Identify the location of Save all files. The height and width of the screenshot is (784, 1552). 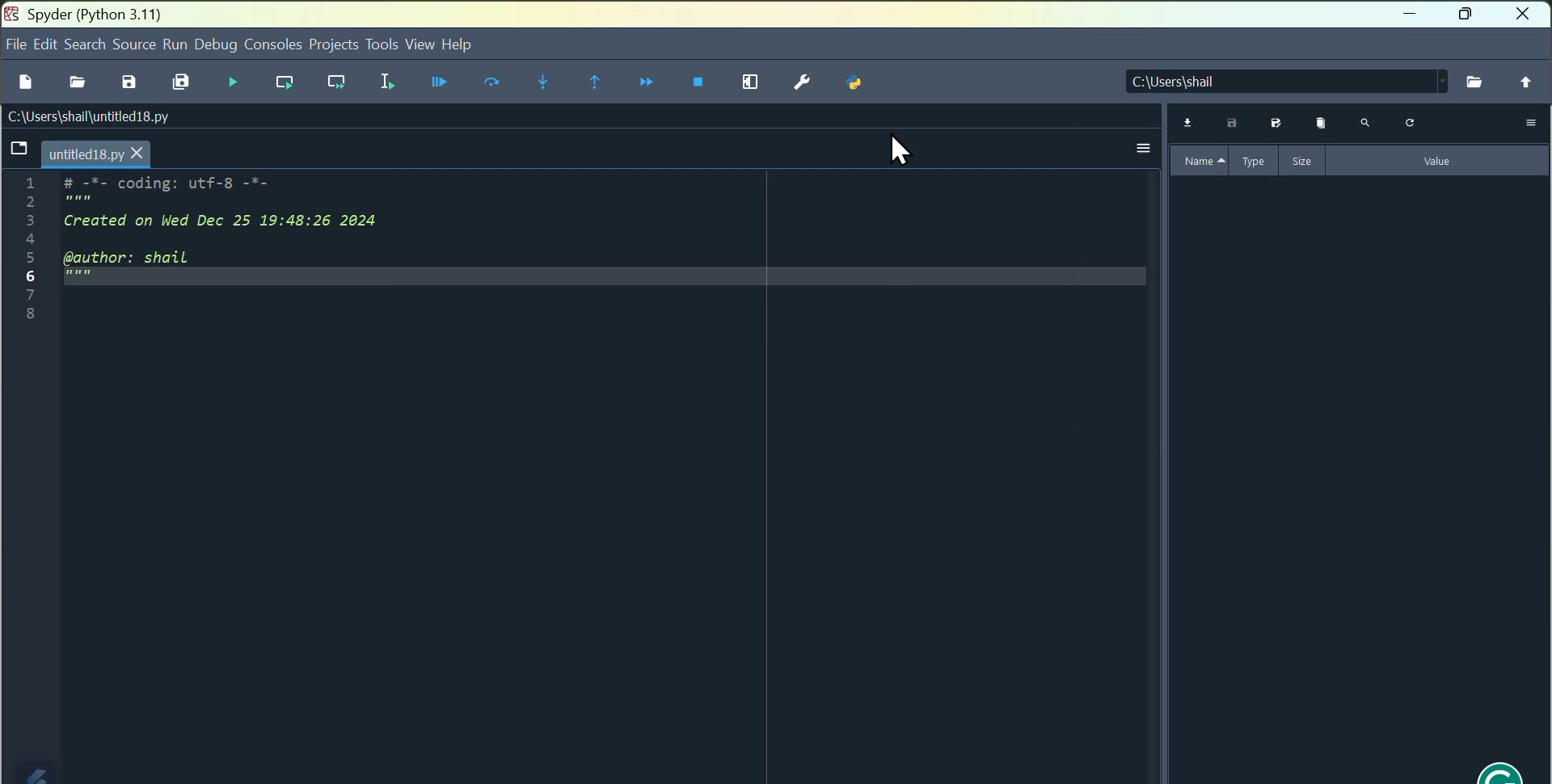
(183, 82).